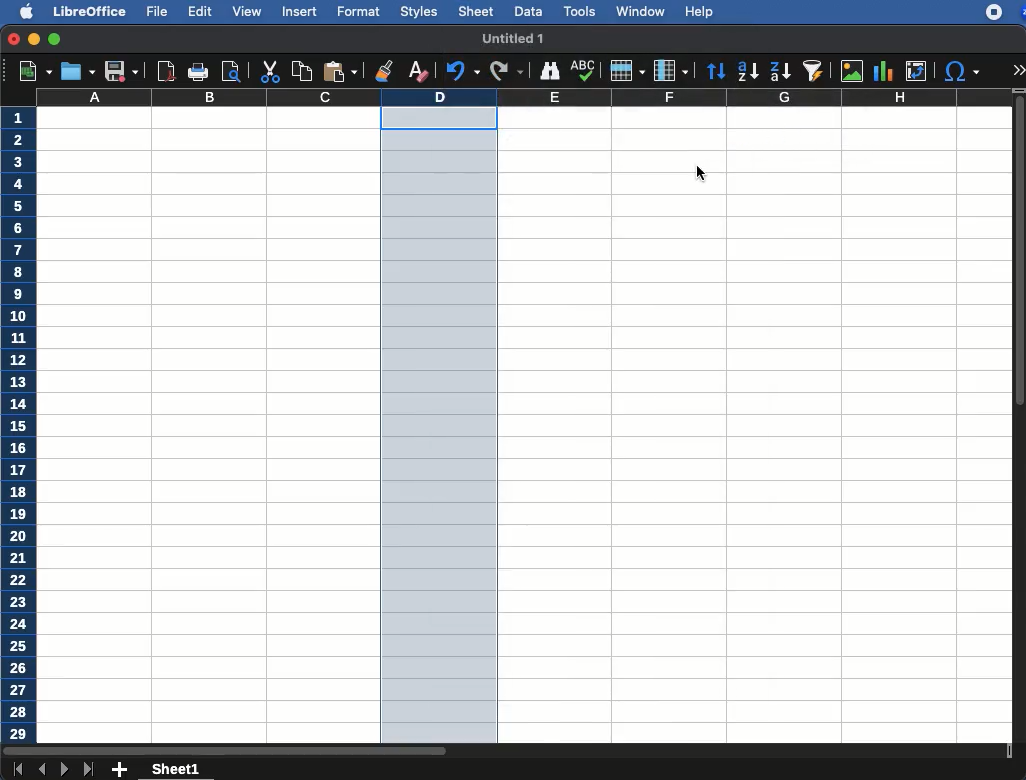 The width and height of the screenshot is (1026, 780). What do you see at coordinates (35, 39) in the screenshot?
I see `minimize` at bounding box center [35, 39].